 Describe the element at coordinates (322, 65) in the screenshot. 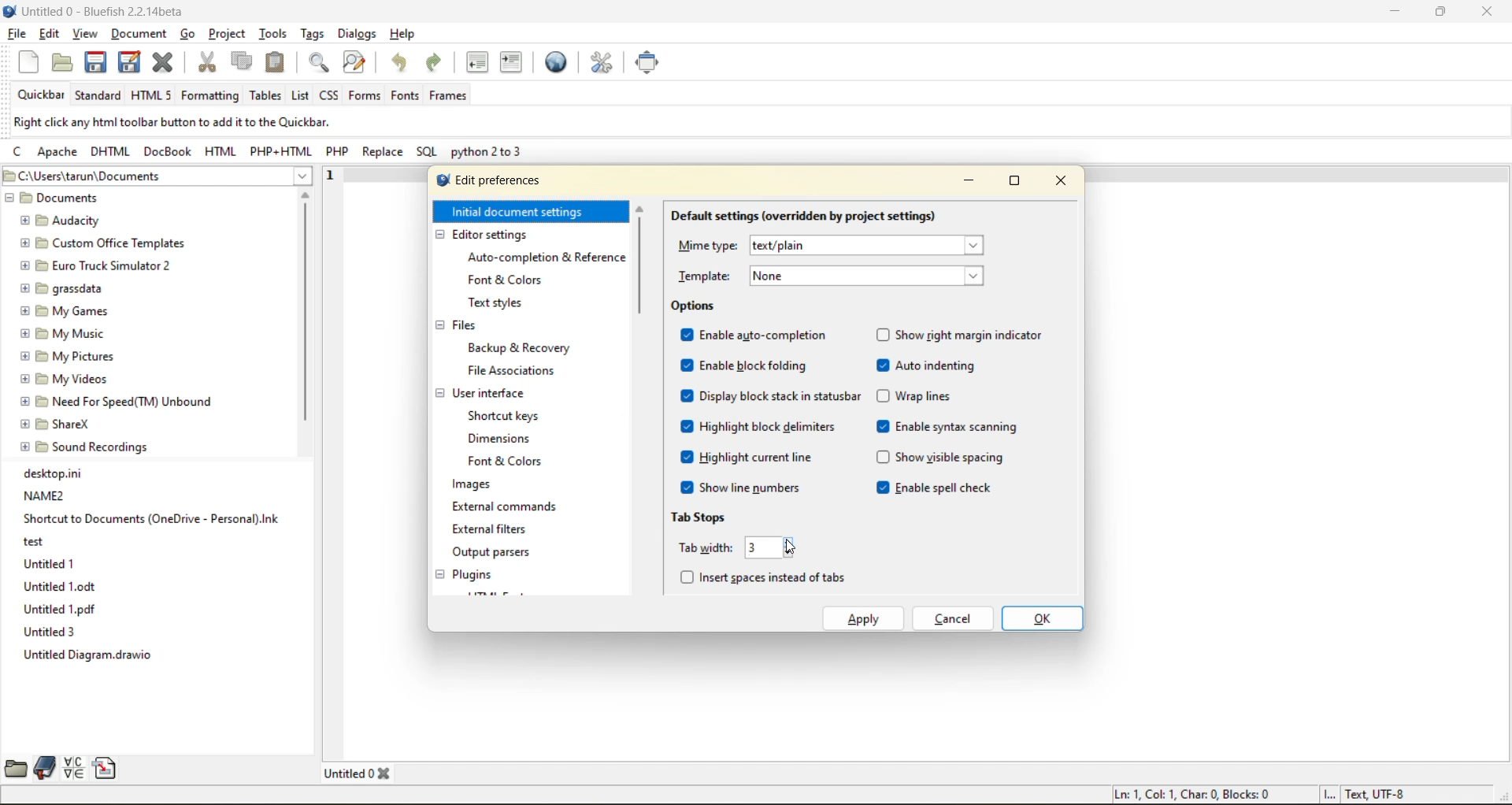

I see `find` at that location.